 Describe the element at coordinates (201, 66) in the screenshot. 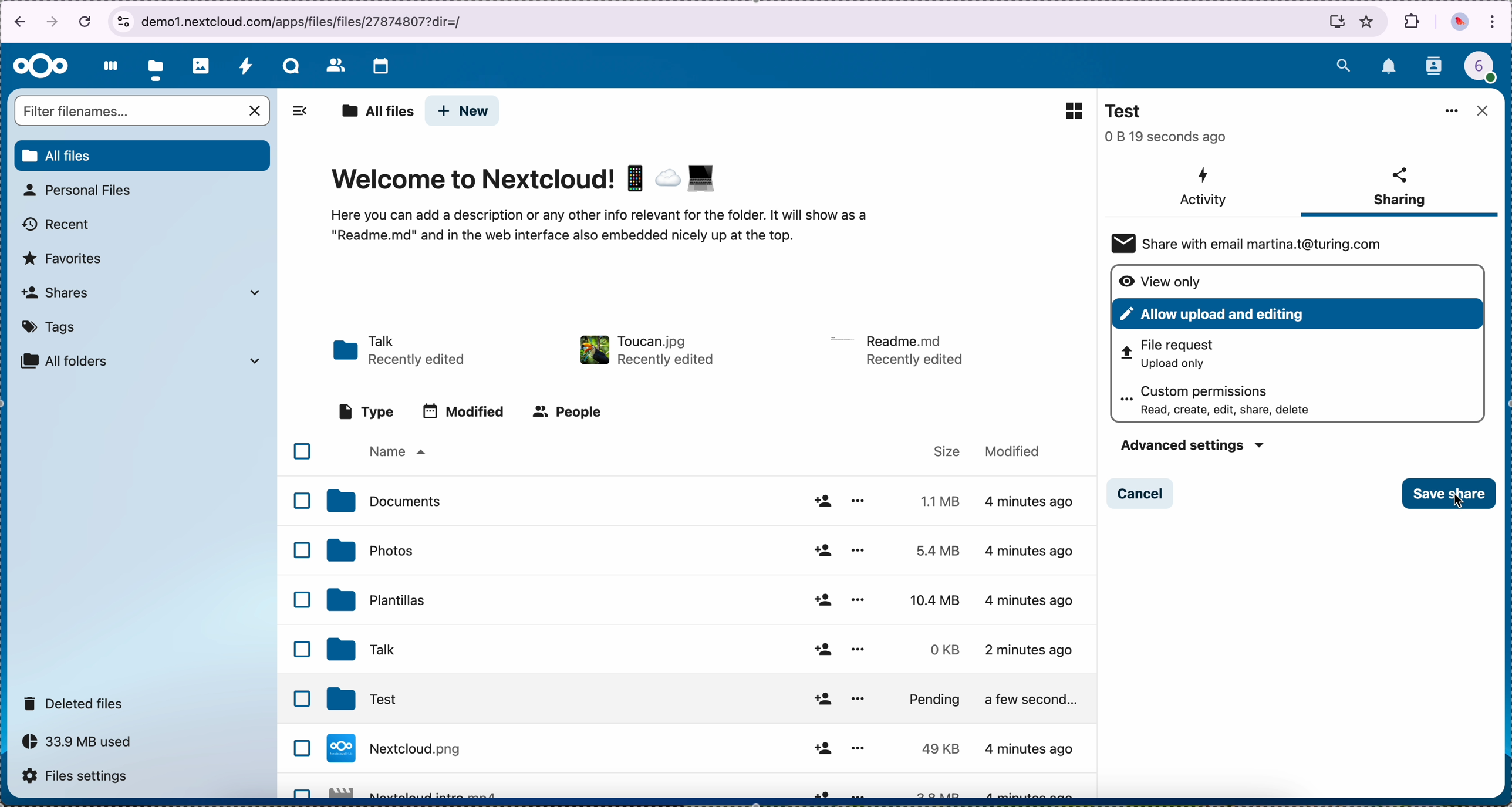

I see `photos` at that location.